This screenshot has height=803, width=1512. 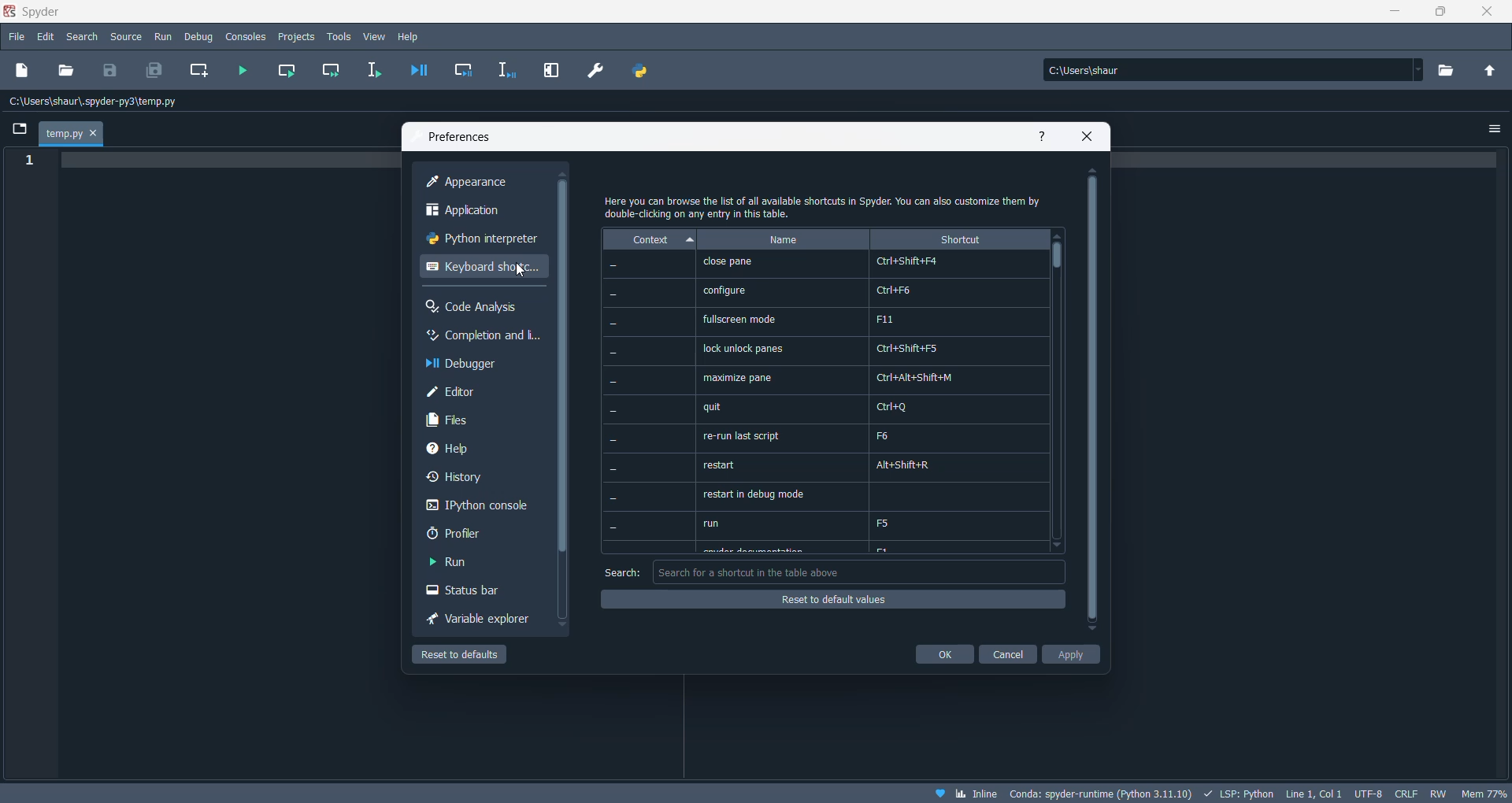 What do you see at coordinates (290, 72) in the screenshot?
I see `run current cell` at bounding box center [290, 72].